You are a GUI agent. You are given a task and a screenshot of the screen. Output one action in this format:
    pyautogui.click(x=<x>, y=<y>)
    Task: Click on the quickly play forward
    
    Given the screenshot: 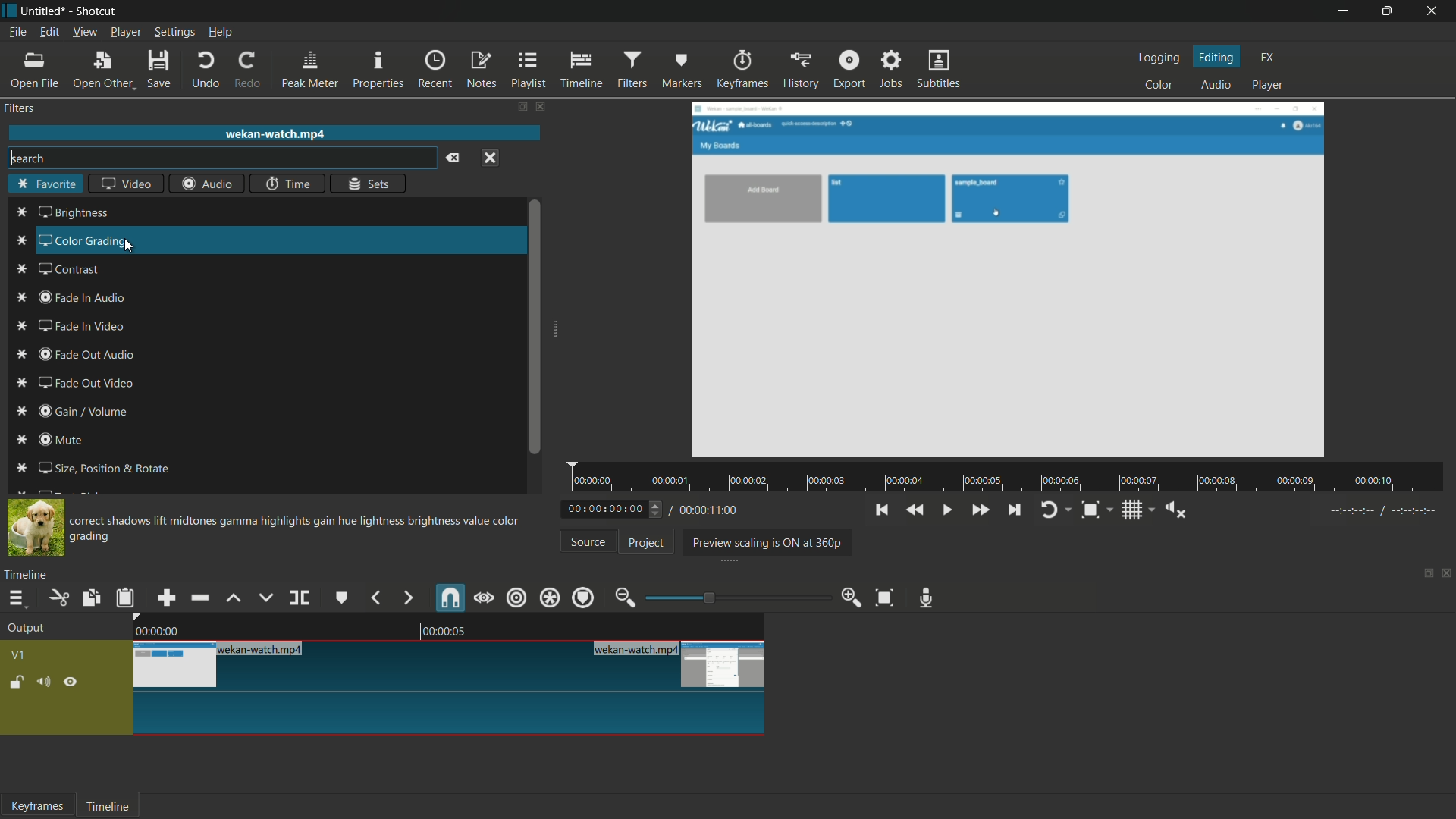 What is the action you would take?
    pyautogui.click(x=980, y=510)
    